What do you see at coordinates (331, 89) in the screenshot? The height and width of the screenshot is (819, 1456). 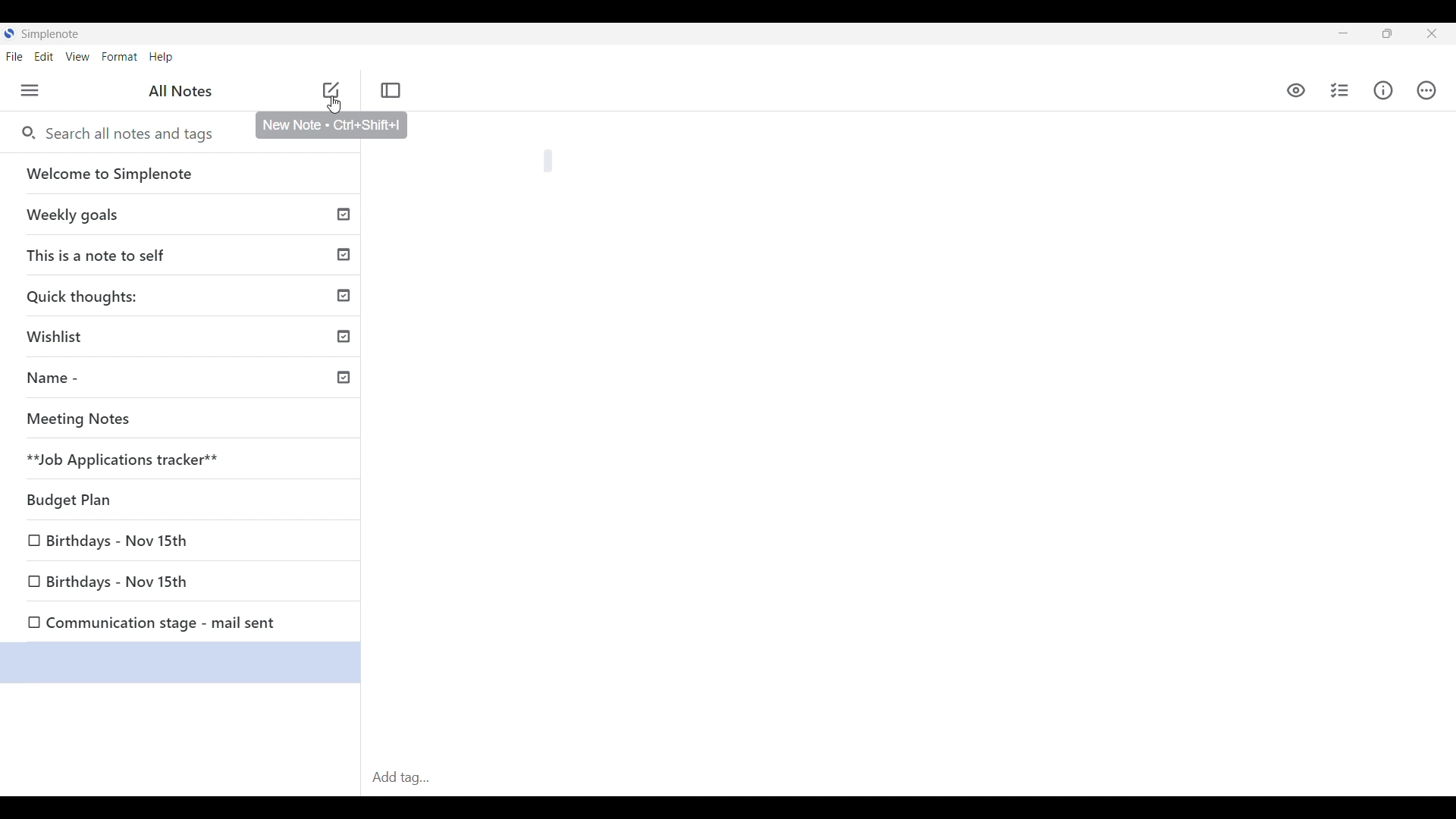 I see `Click to add note` at bounding box center [331, 89].